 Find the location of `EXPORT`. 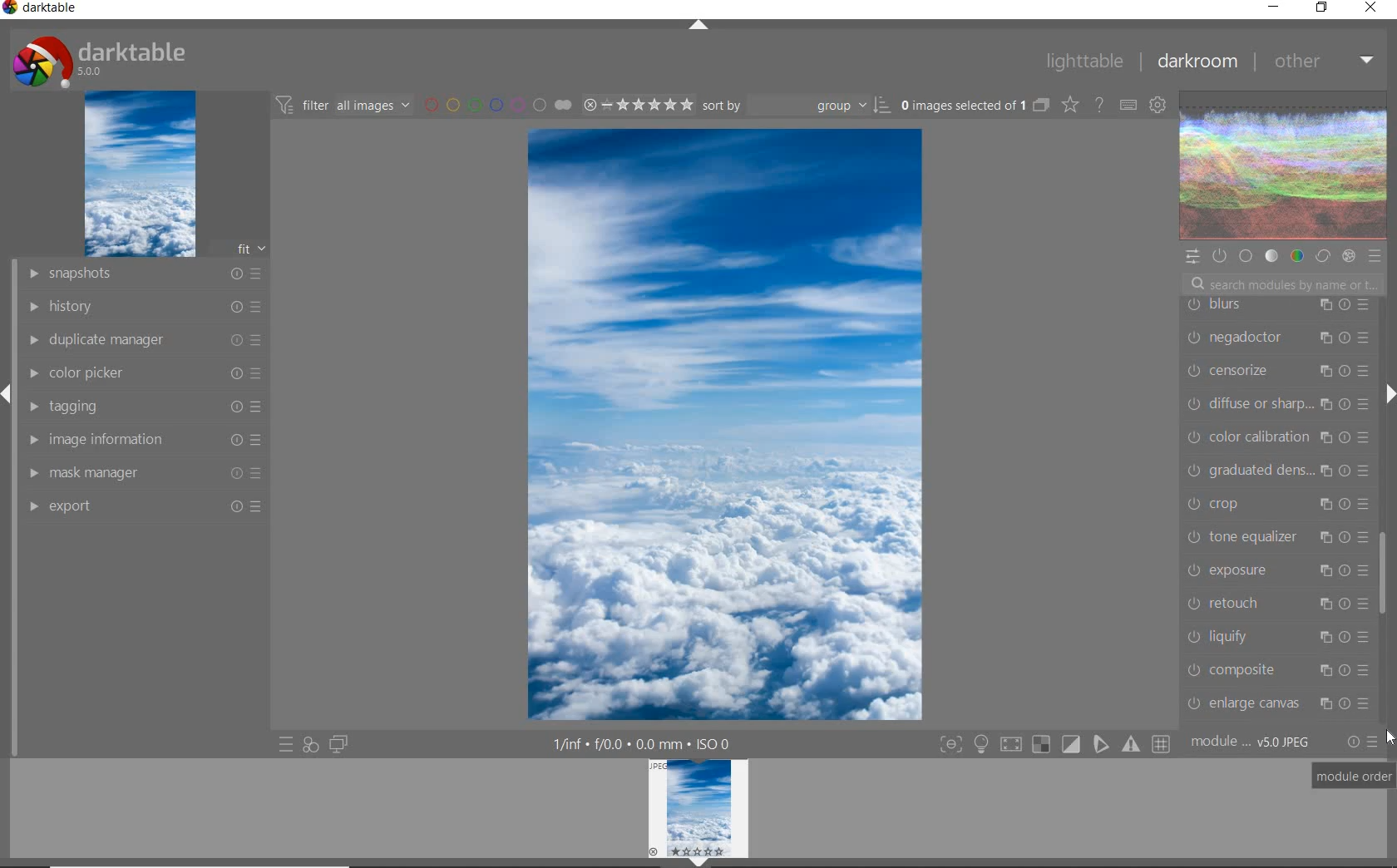

EXPORT is located at coordinates (143, 506).